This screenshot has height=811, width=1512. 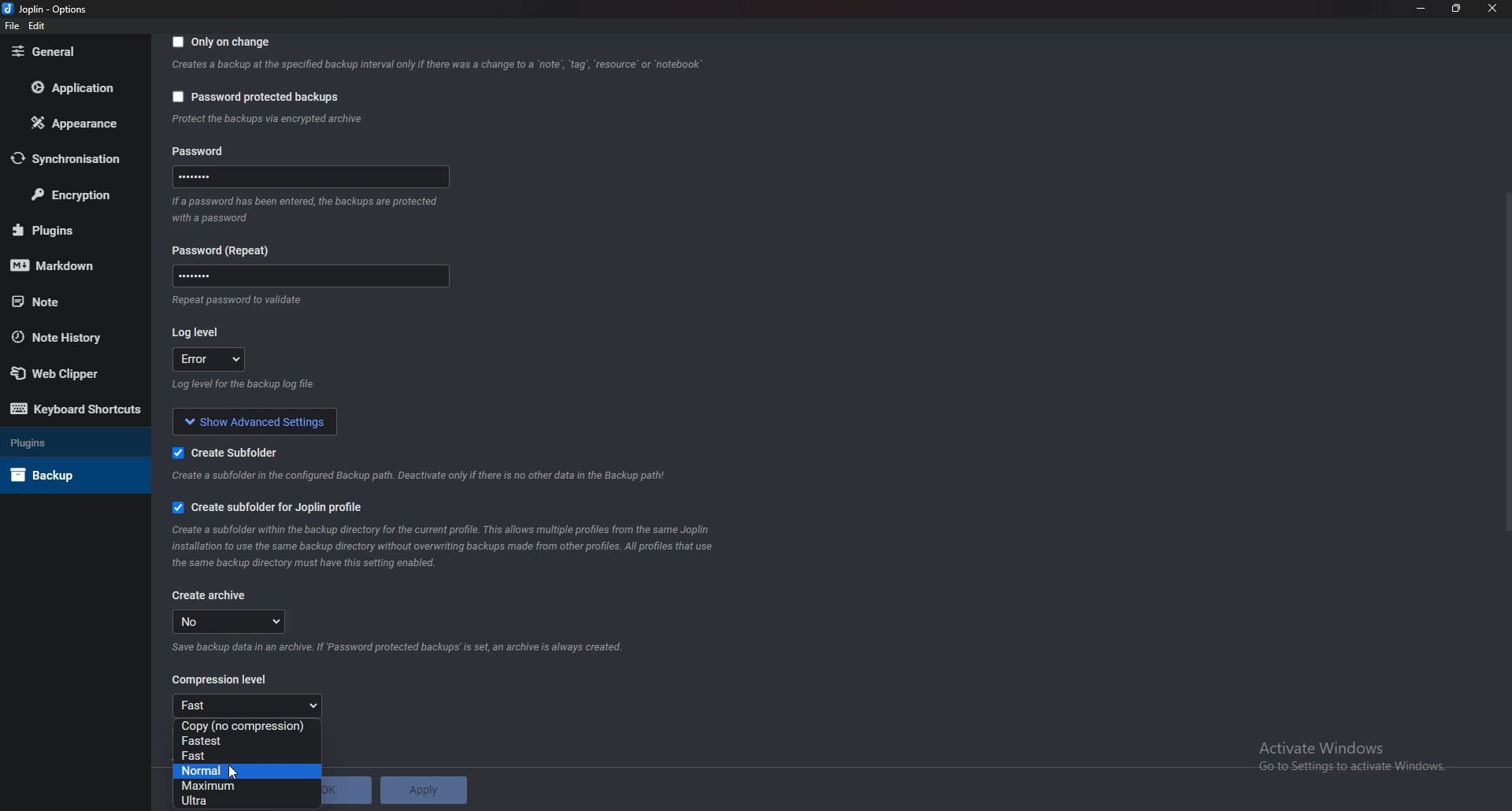 What do you see at coordinates (310, 209) in the screenshot?
I see `Info` at bounding box center [310, 209].